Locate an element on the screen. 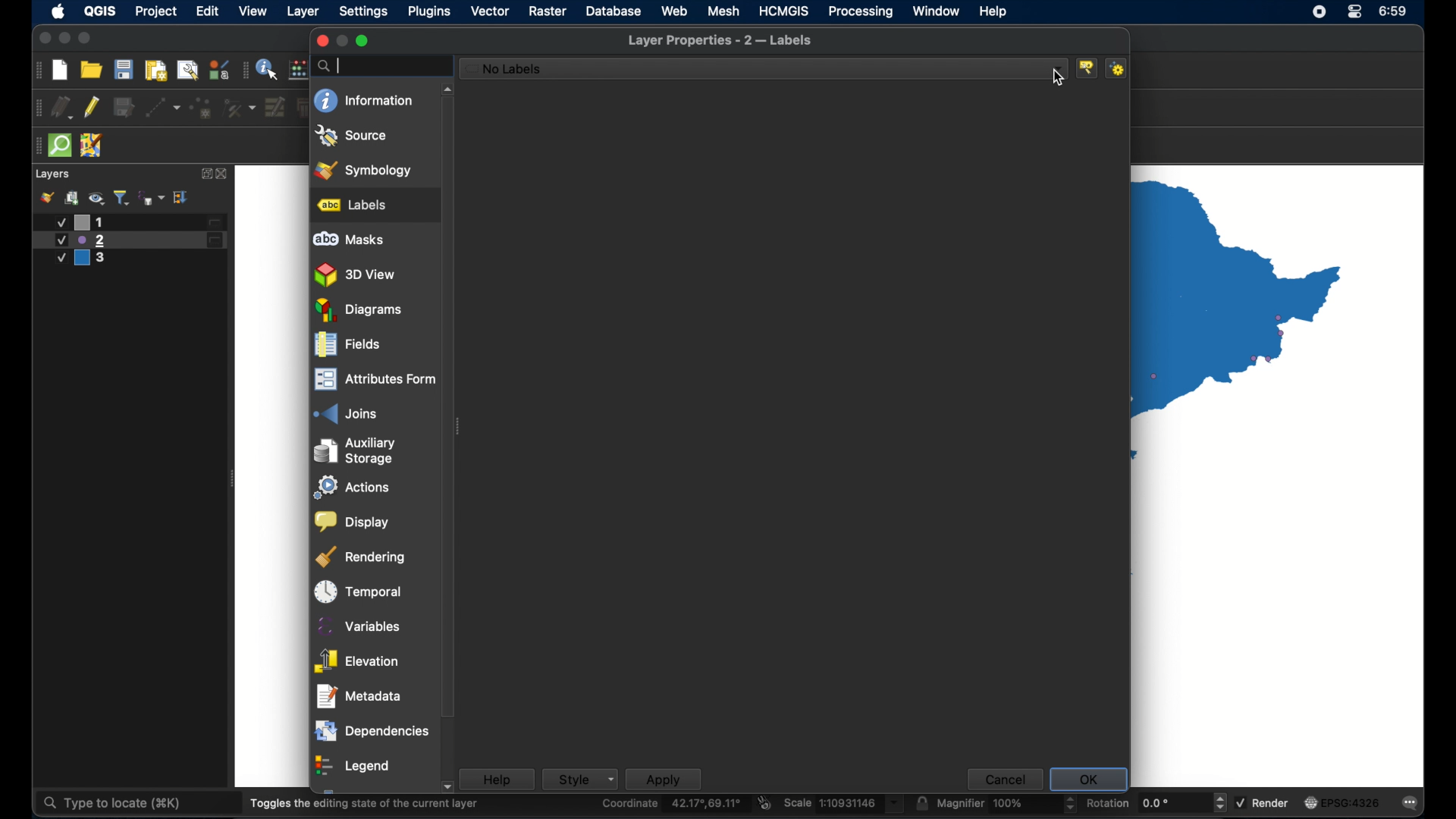  drag handle is located at coordinates (36, 70).